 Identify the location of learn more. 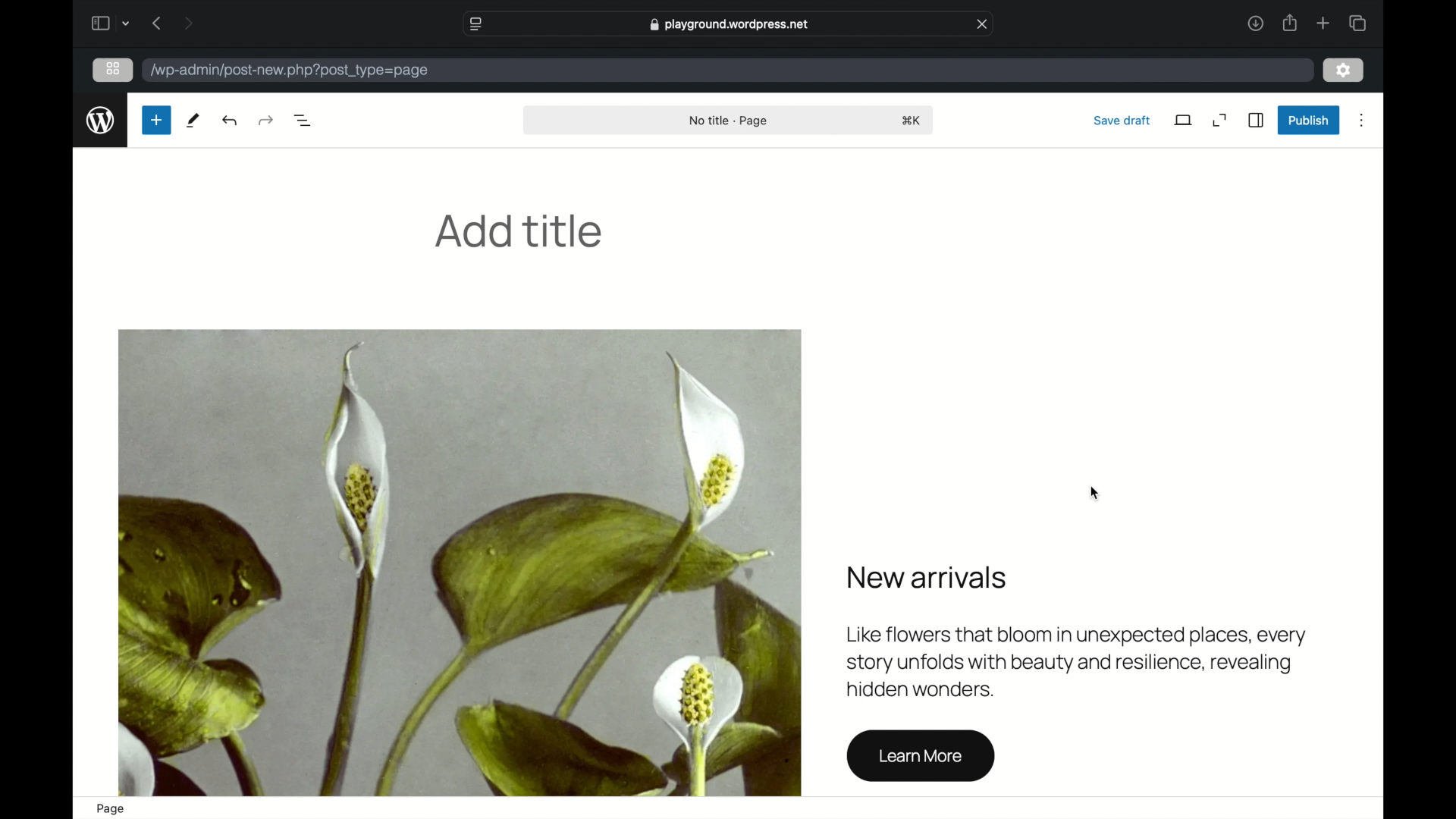
(920, 757).